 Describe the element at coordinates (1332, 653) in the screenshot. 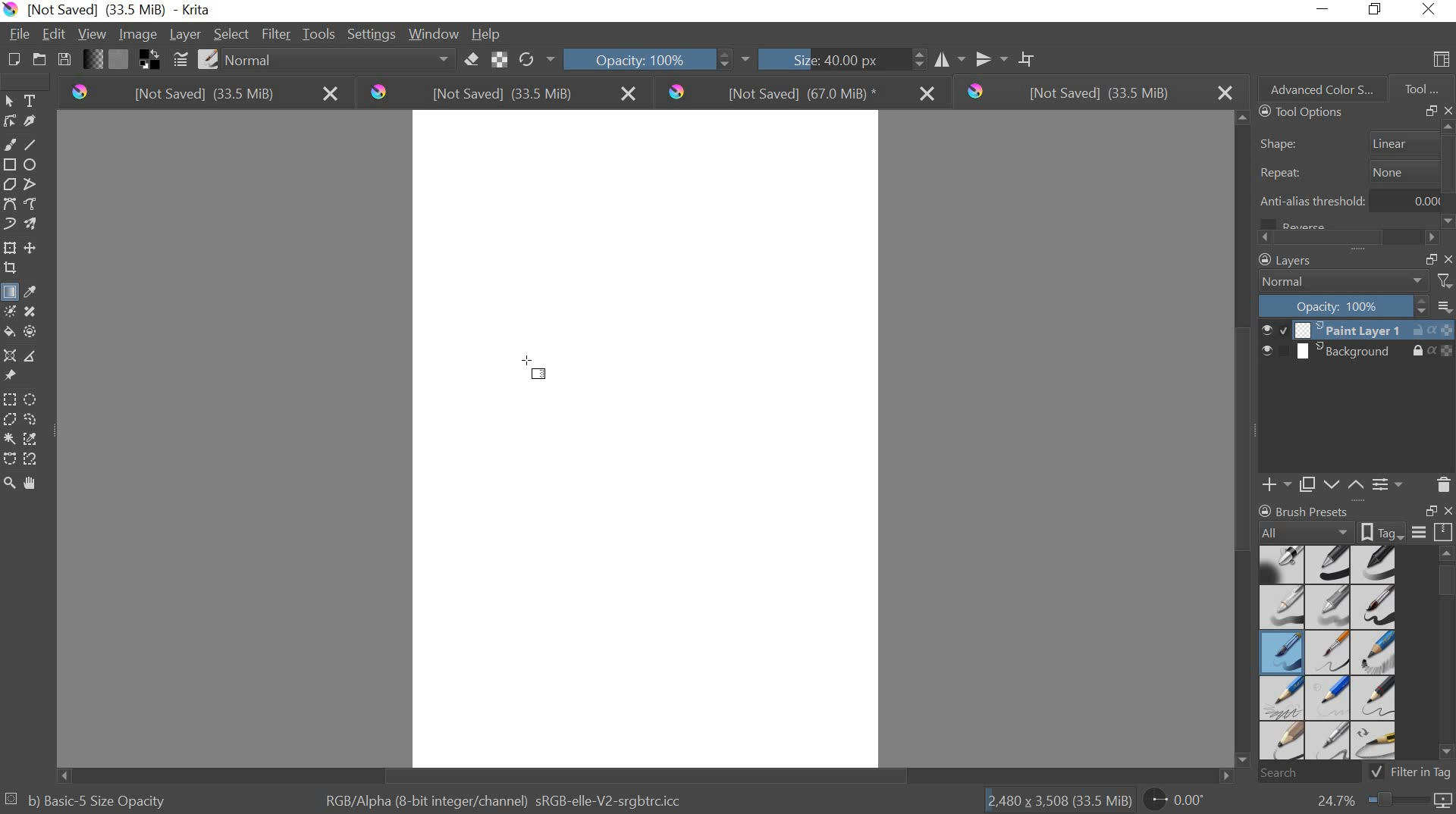

I see `BRUSH PRESET TYPES` at that location.